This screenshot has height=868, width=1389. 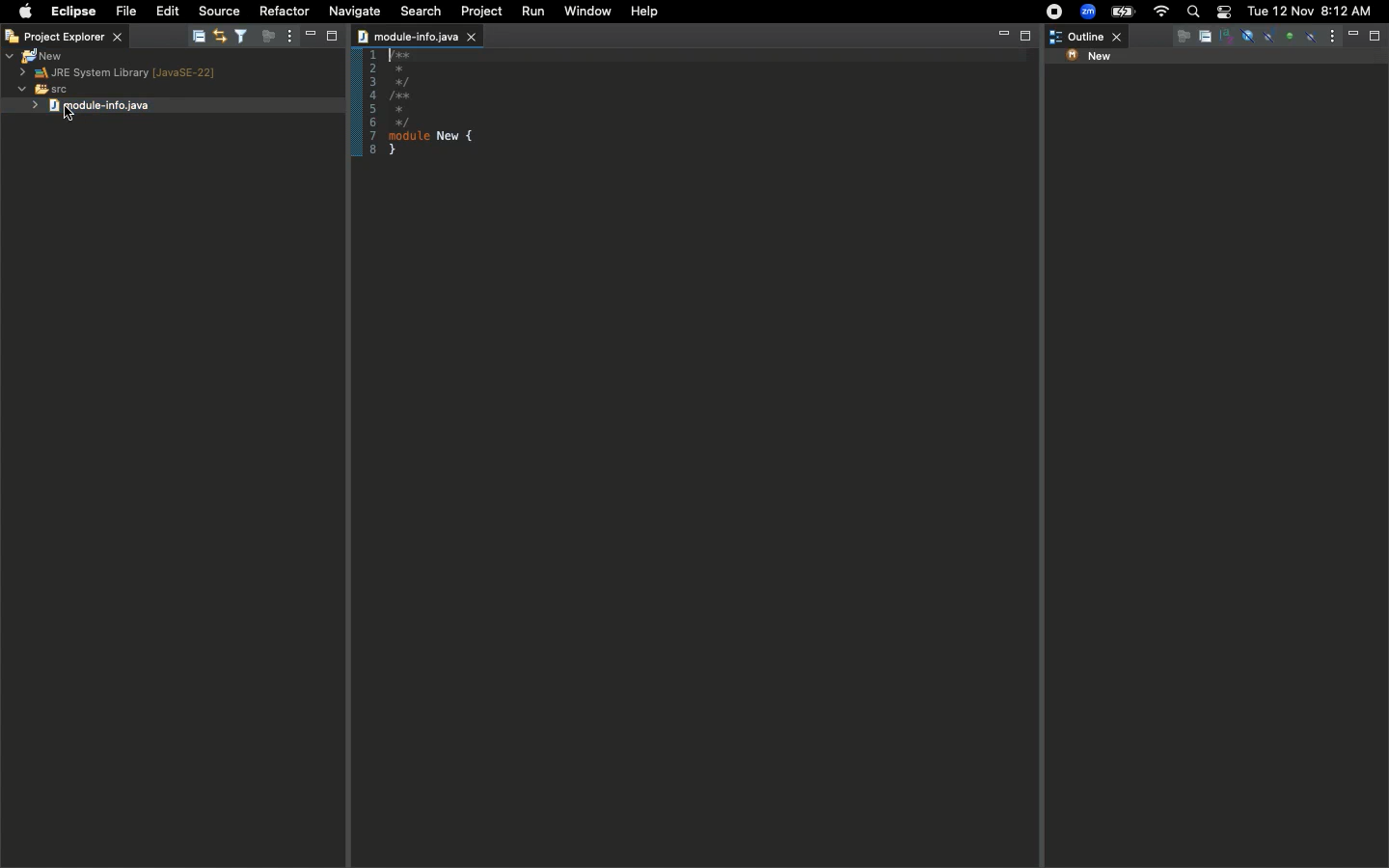 I want to click on Copy, so click(x=422, y=104).